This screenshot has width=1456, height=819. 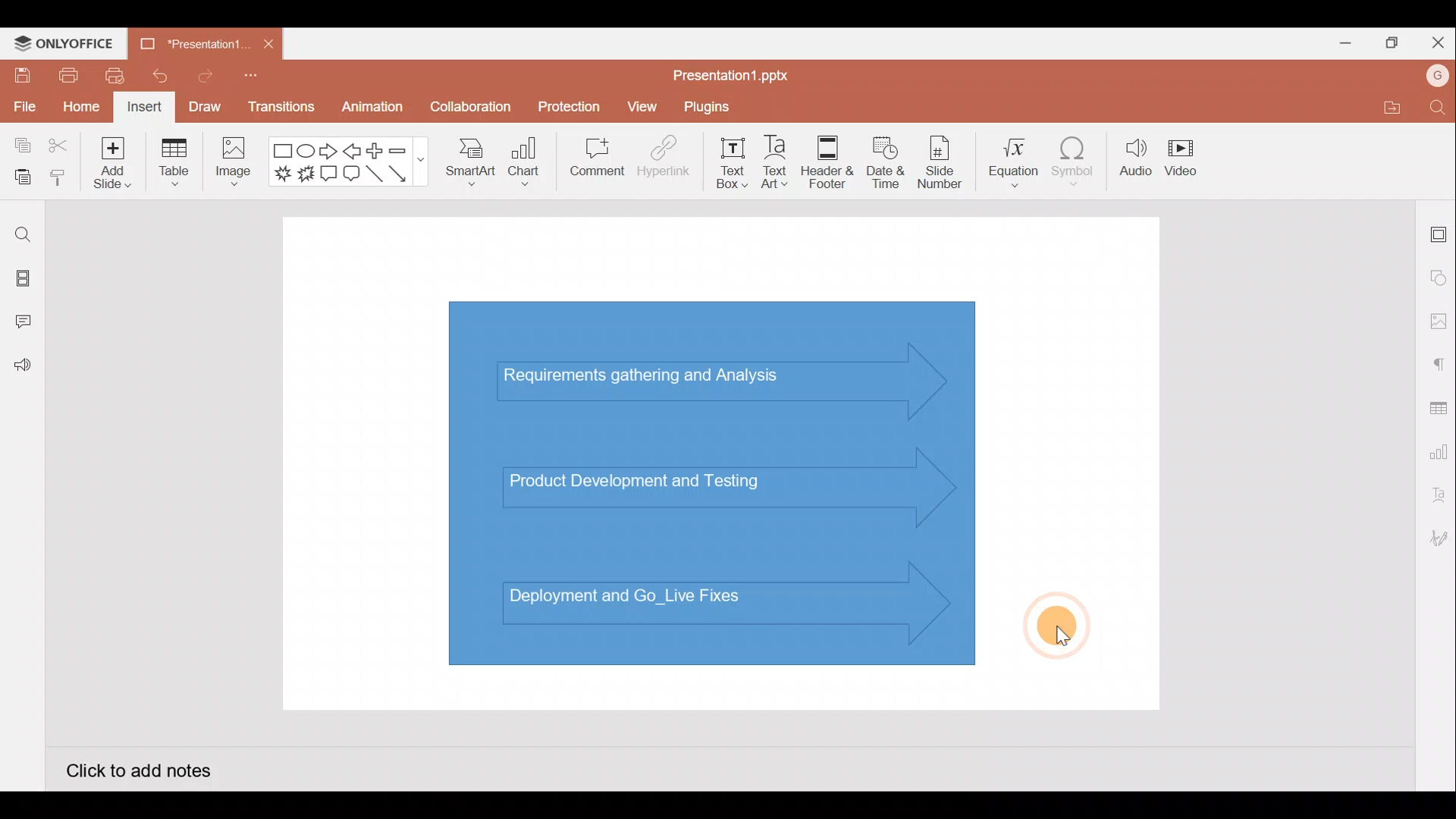 What do you see at coordinates (828, 158) in the screenshot?
I see `Header & footer` at bounding box center [828, 158].